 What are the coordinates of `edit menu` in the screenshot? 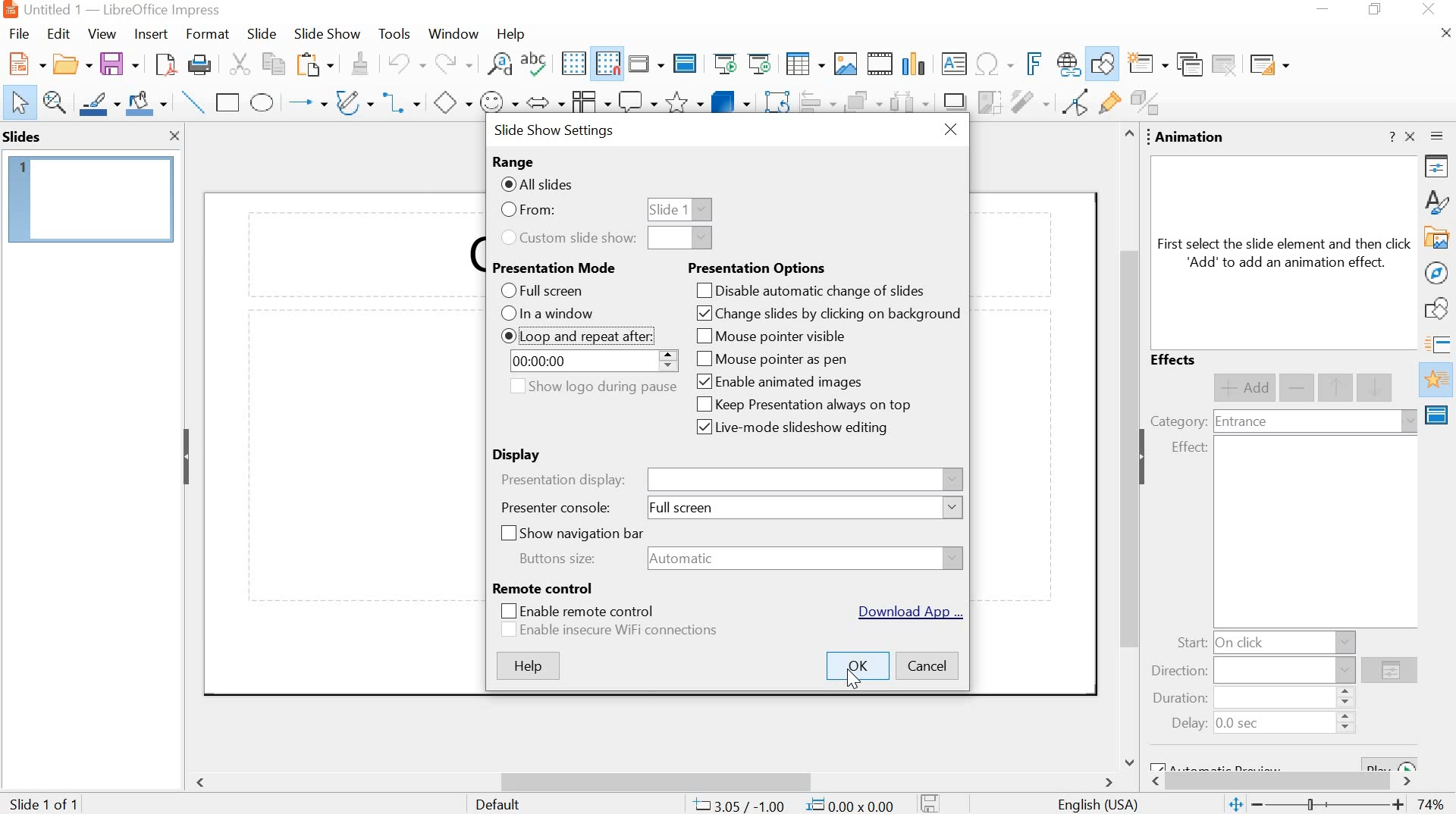 It's located at (58, 34).